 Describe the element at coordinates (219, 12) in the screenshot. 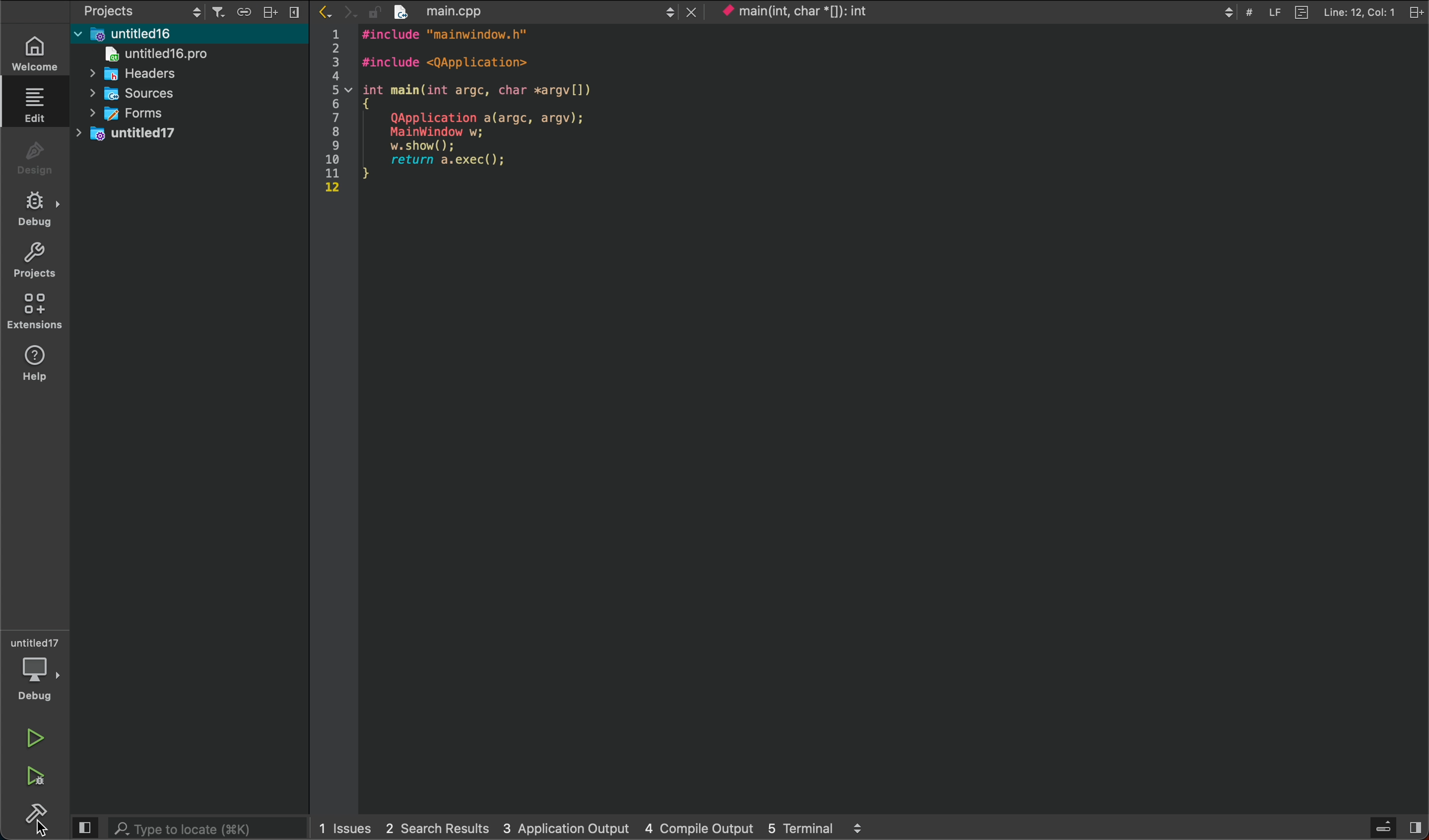

I see `filter` at that location.